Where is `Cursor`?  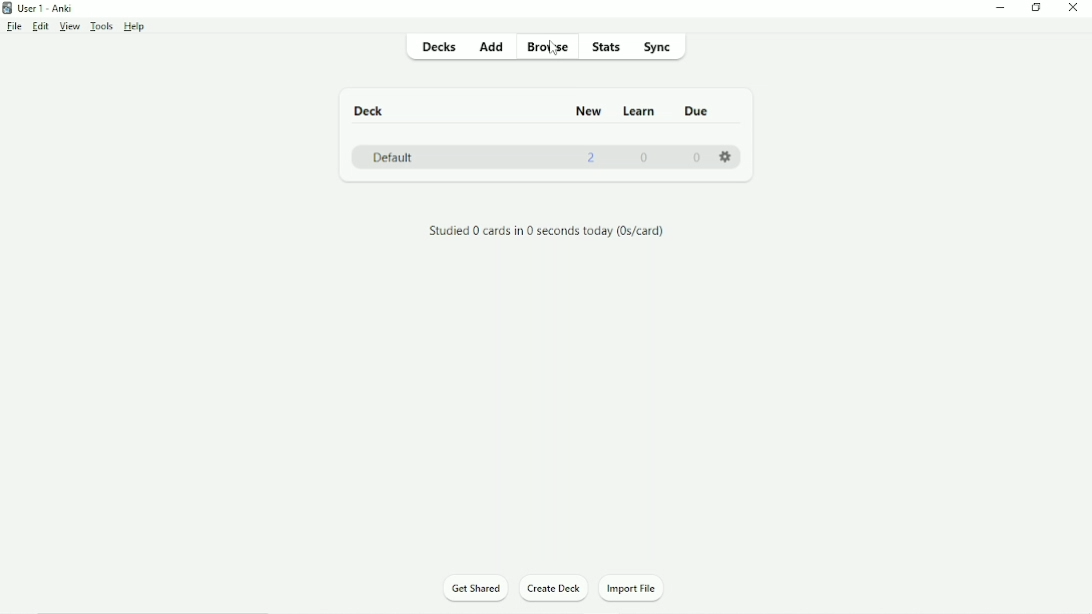
Cursor is located at coordinates (555, 52).